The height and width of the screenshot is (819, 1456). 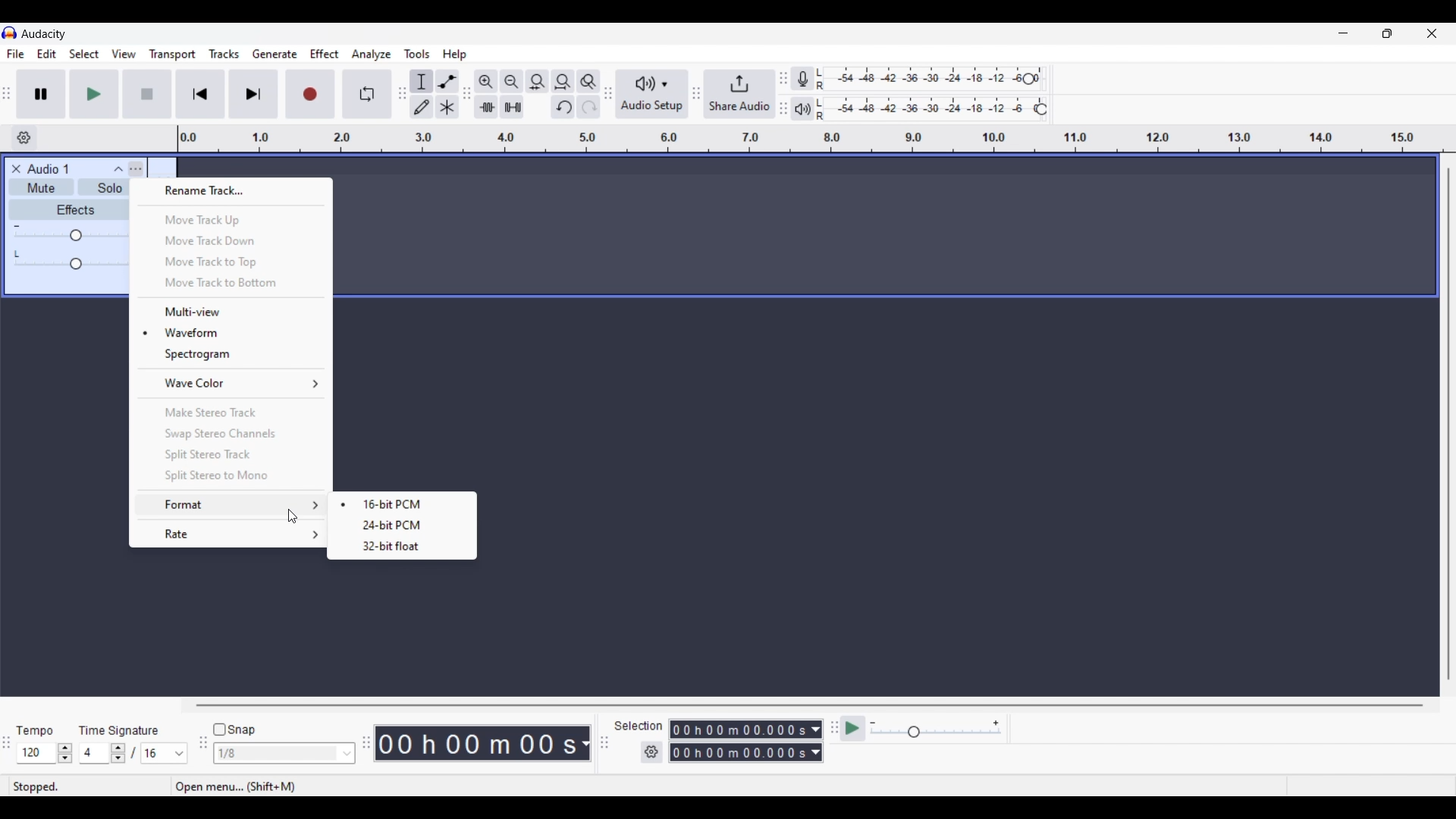 What do you see at coordinates (1343, 33) in the screenshot?
I see `Minimize` at bounding box center [1343, 33].